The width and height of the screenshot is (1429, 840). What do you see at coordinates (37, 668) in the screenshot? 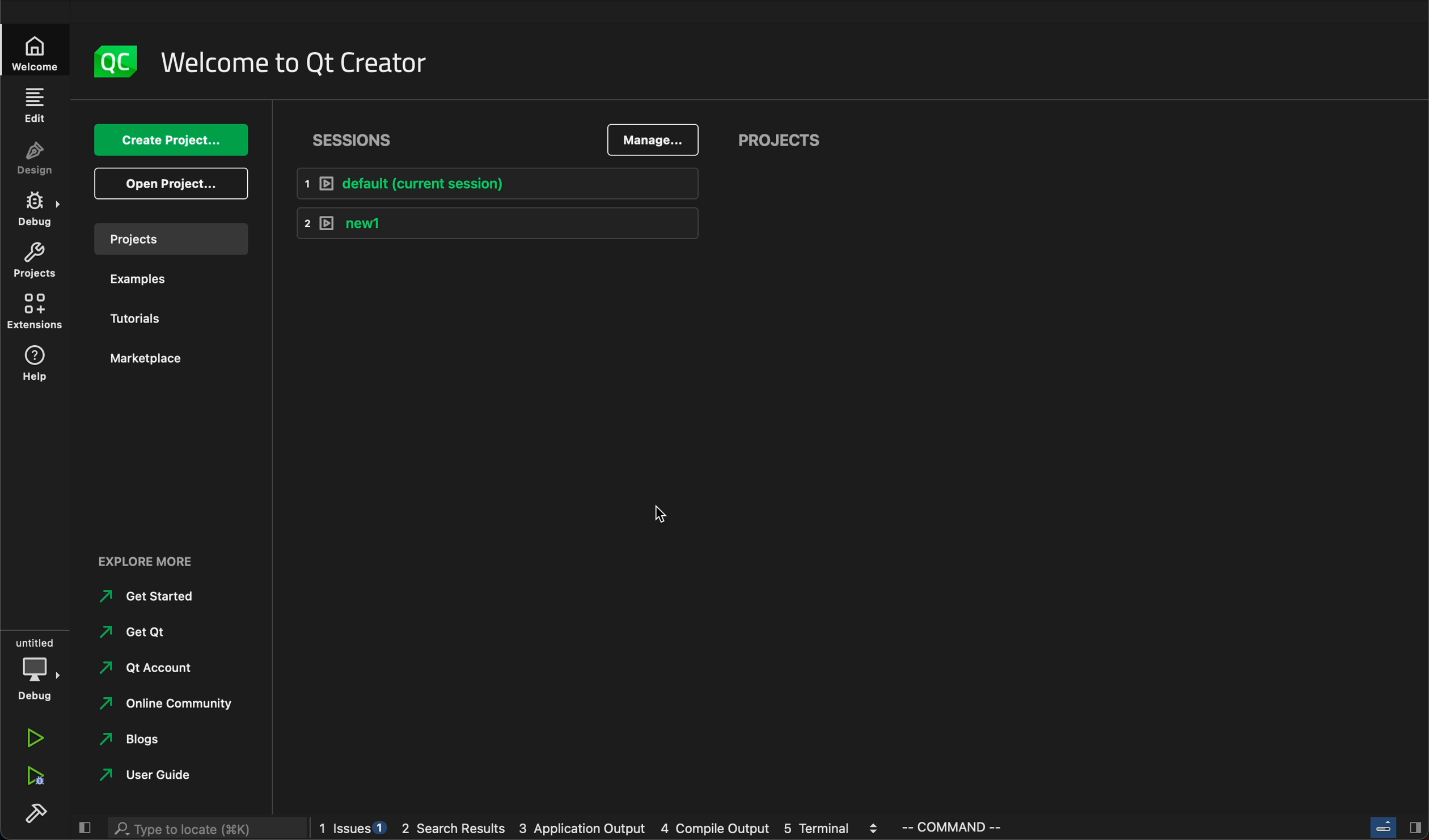
I see `debug` at bounding box center [37, 668].